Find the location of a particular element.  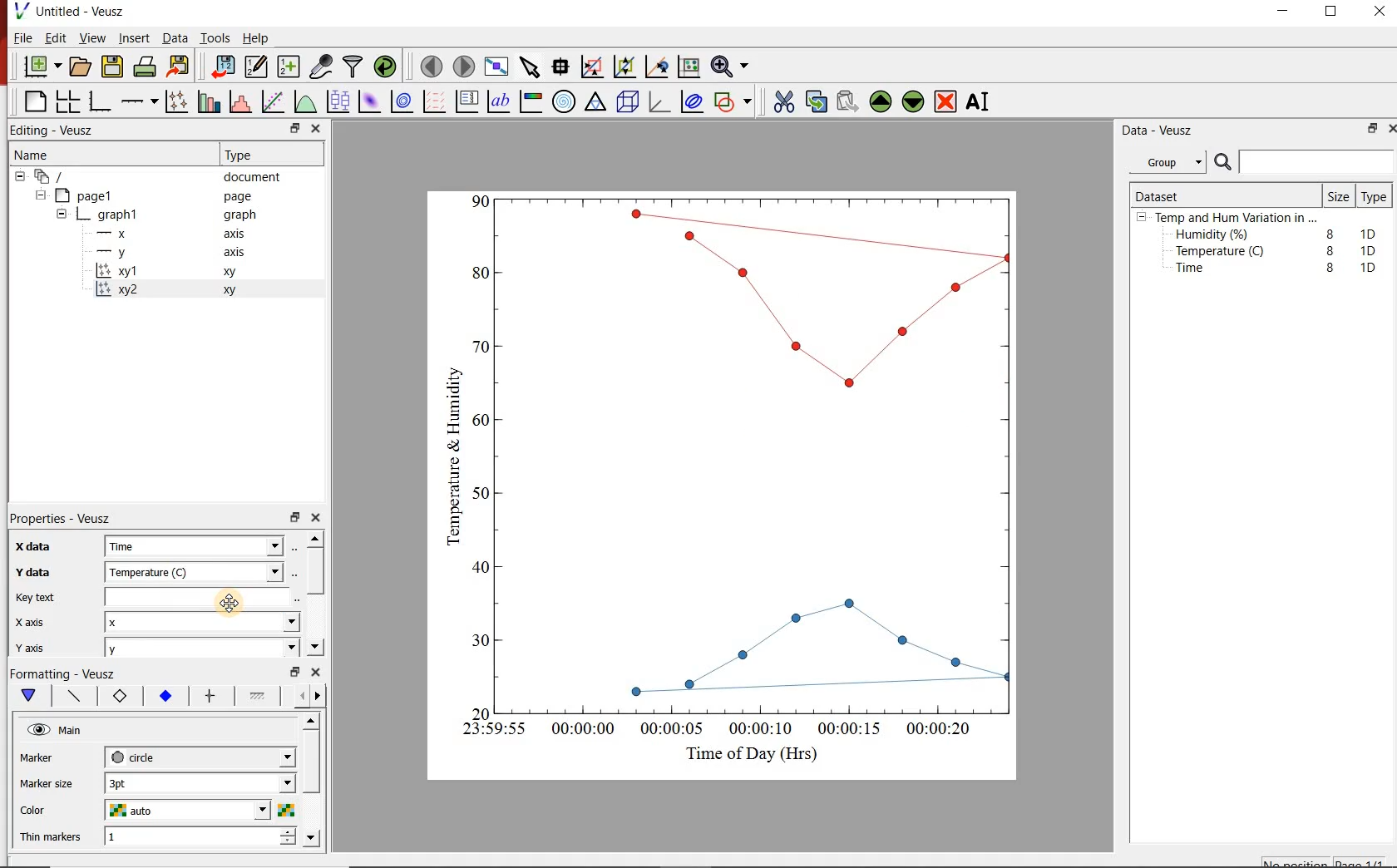

edit text is located at coordinates (292, 599).